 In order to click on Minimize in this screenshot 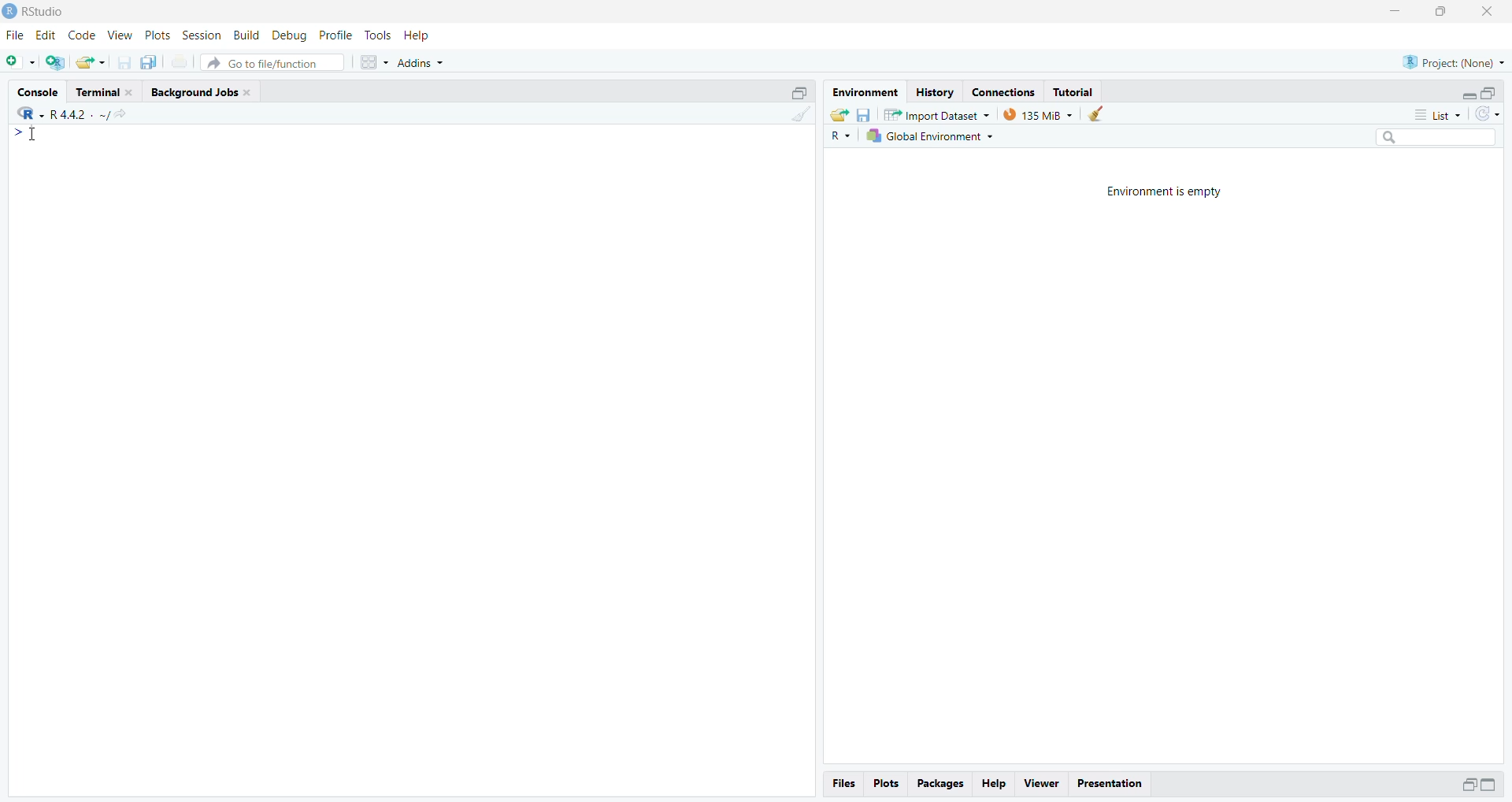, I will do `click(1465, 93)`.